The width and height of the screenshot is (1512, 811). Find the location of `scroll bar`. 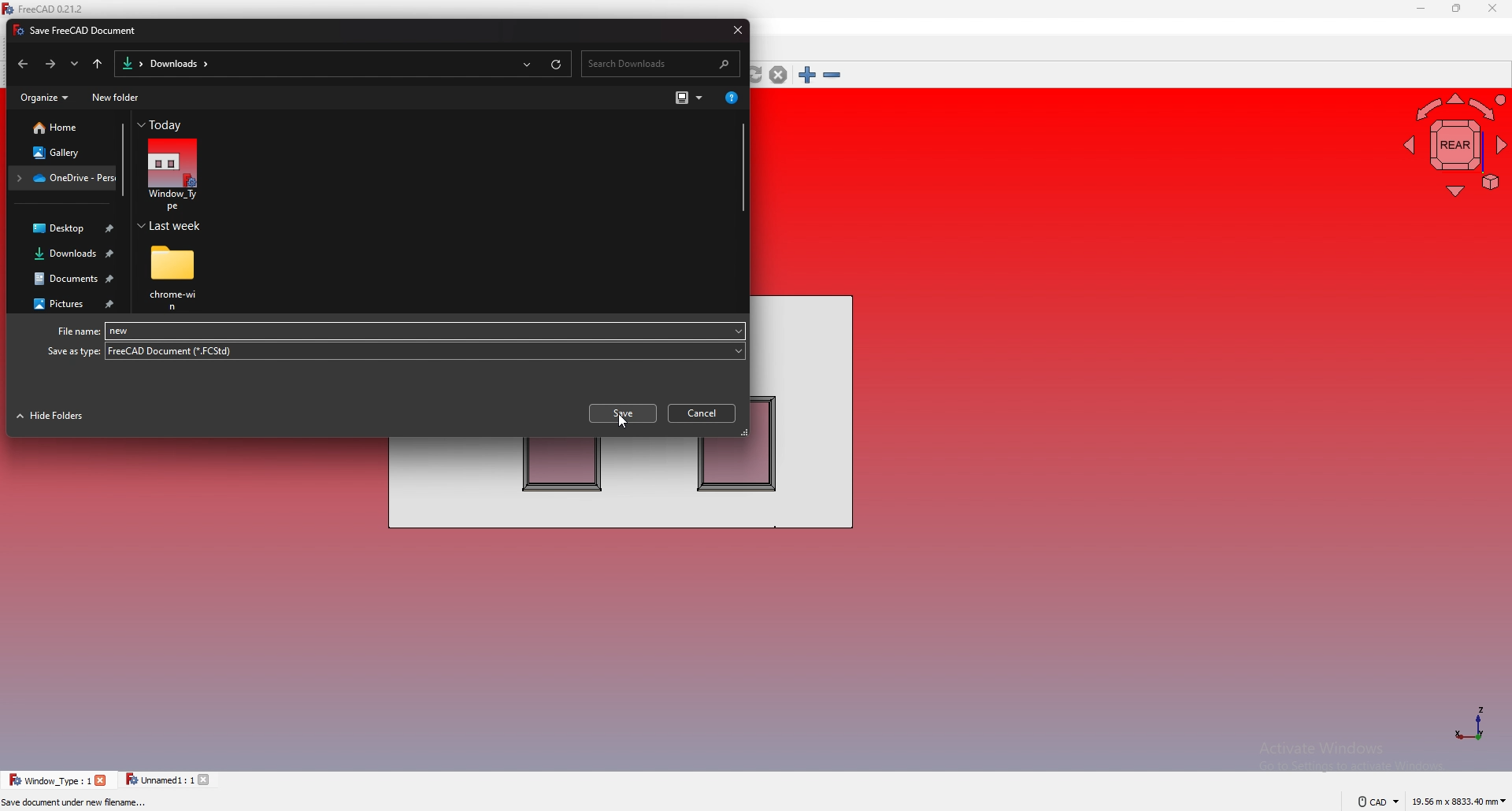

scroll bar is located at coordinates (741, 168).